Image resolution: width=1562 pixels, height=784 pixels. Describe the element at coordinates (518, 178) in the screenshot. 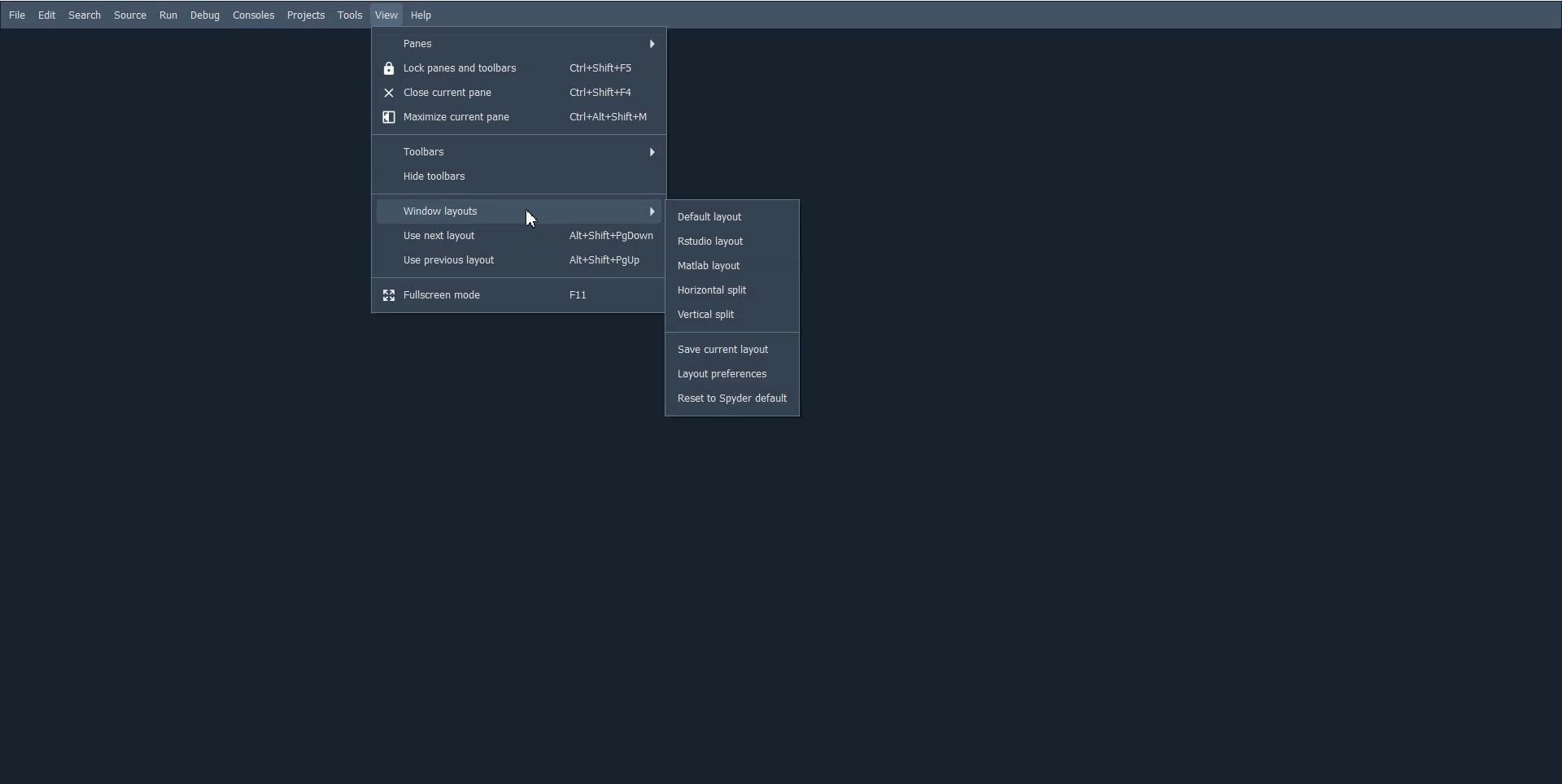

I see `Hide toolbars` at that location.